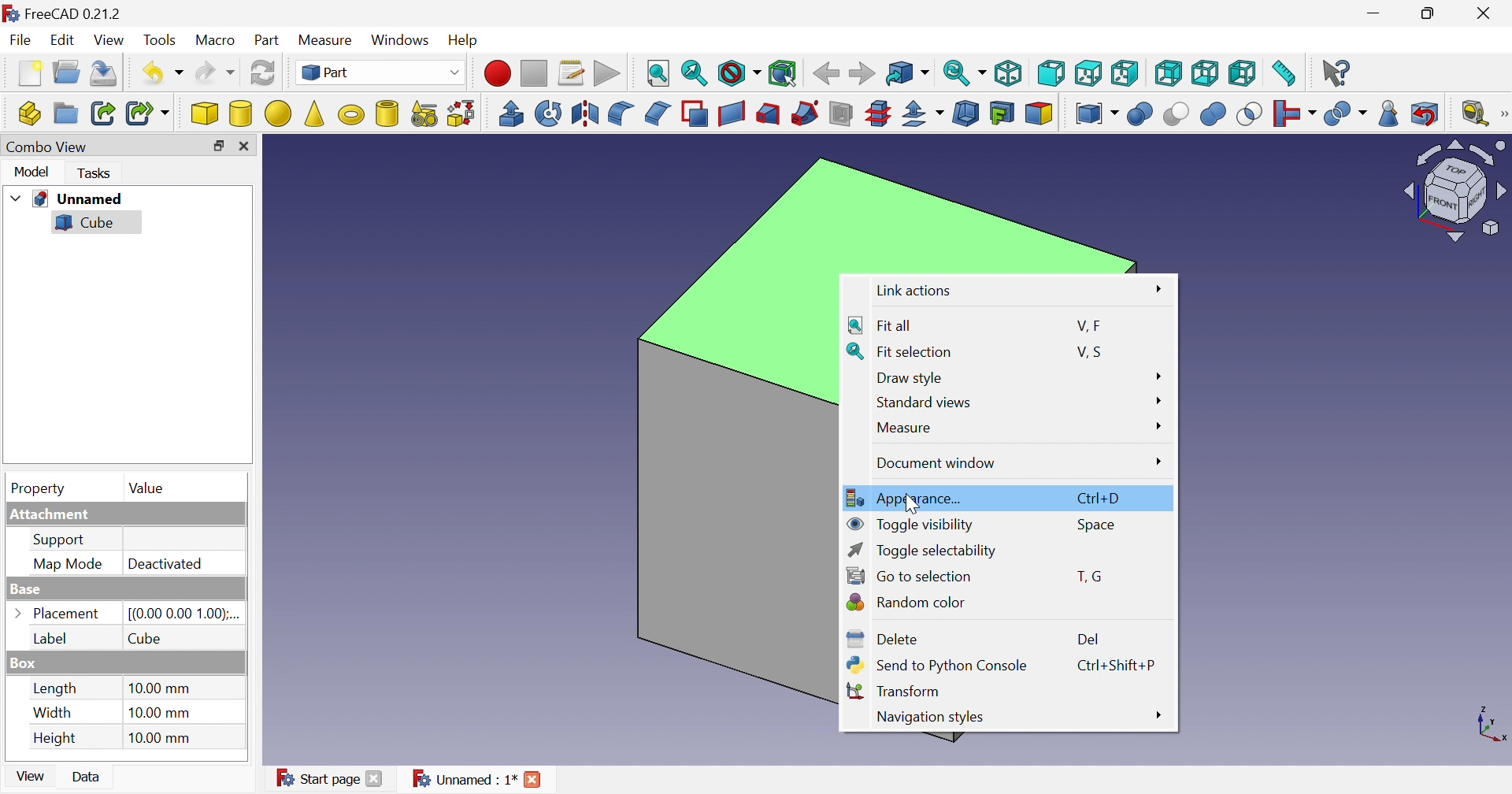 The width and height of the screenshot is (1512, 794). Describe the element at coordinates (694, 71) in the screenshot. I see `Fit selection` at that location.